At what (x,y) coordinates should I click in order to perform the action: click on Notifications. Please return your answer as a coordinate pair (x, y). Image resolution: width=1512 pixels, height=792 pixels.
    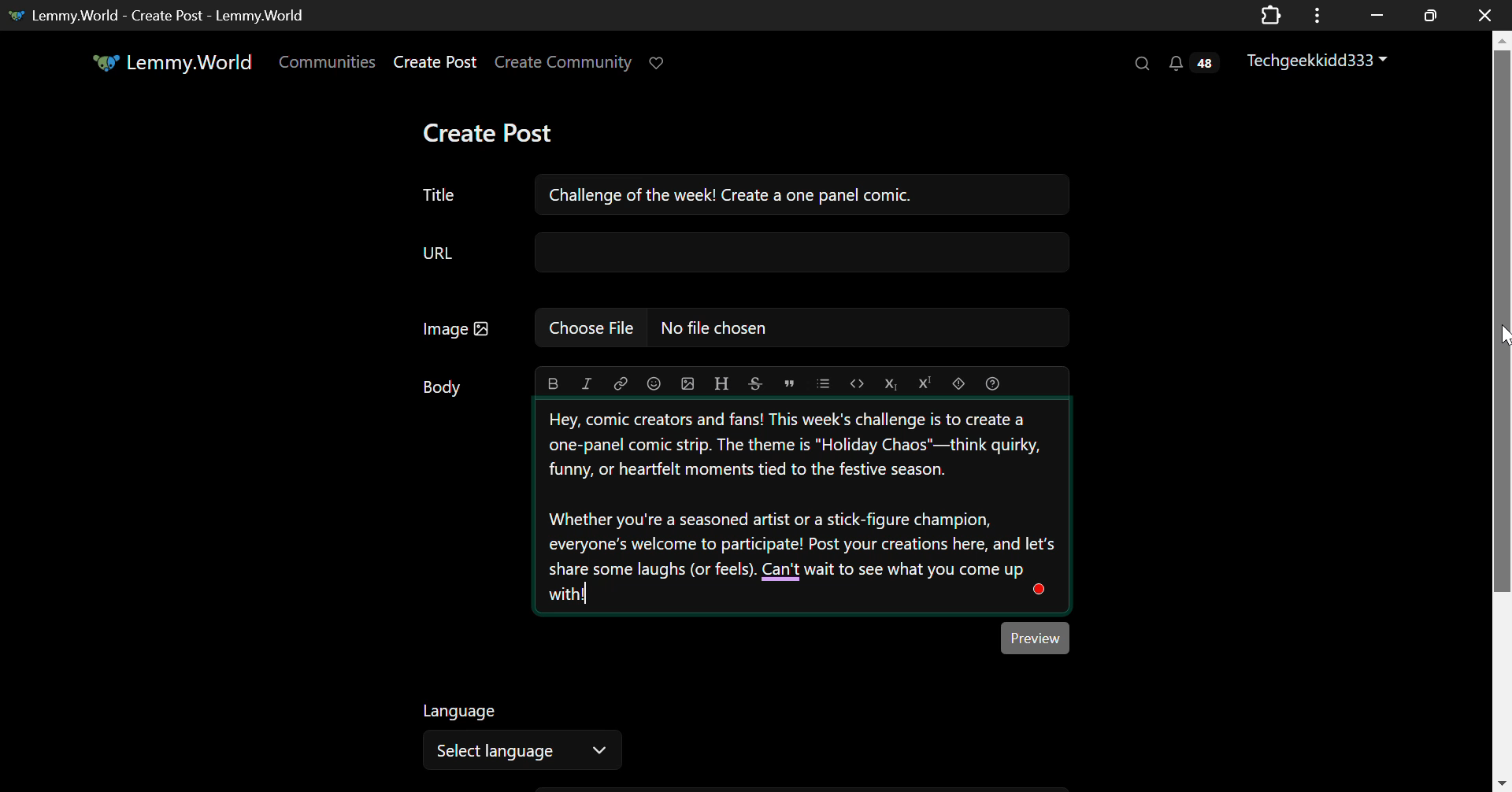
    Looking at the image, I should click on (1191, 65).